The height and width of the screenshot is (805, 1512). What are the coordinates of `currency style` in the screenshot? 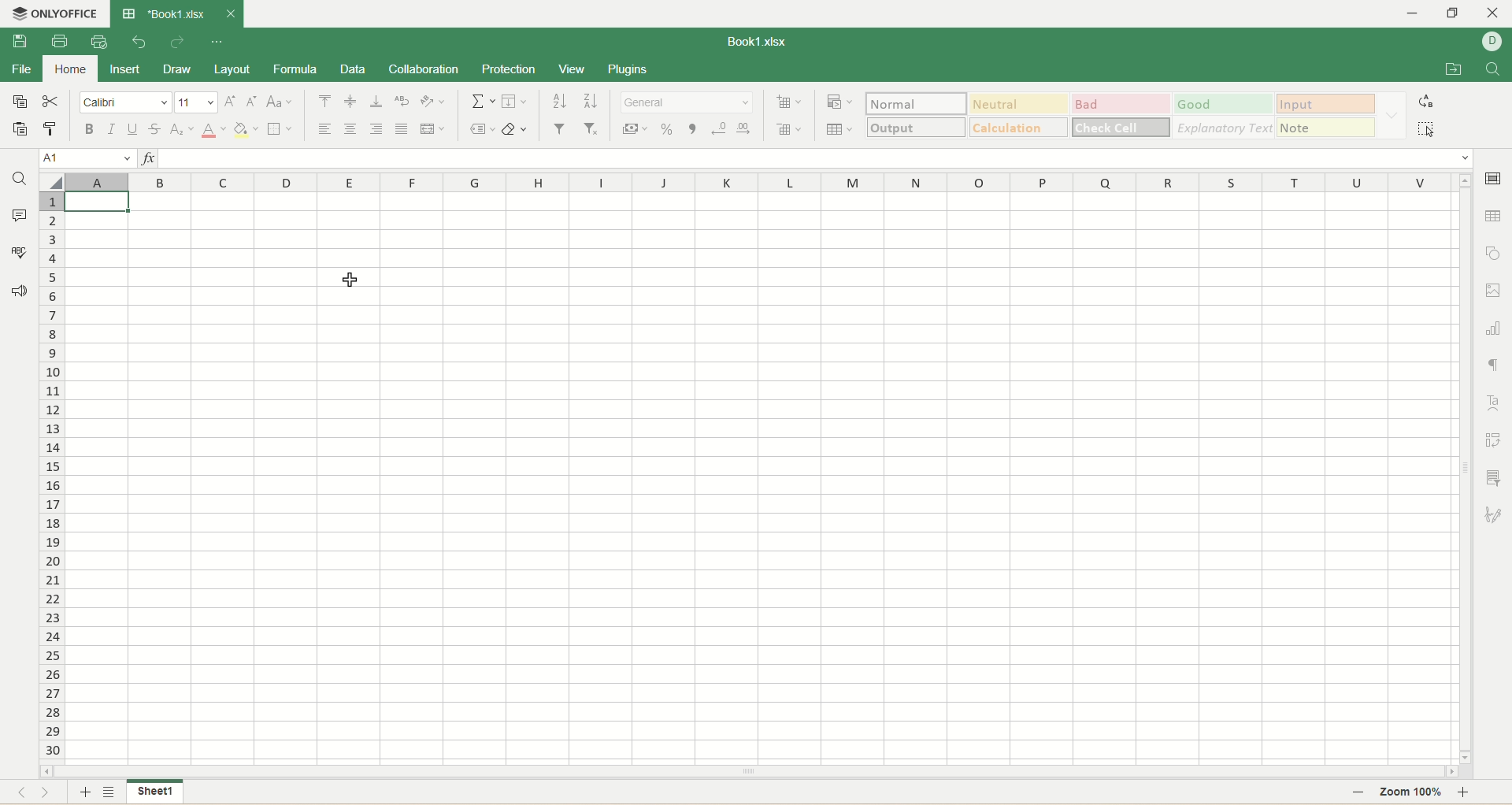 It's located at (638, 131).